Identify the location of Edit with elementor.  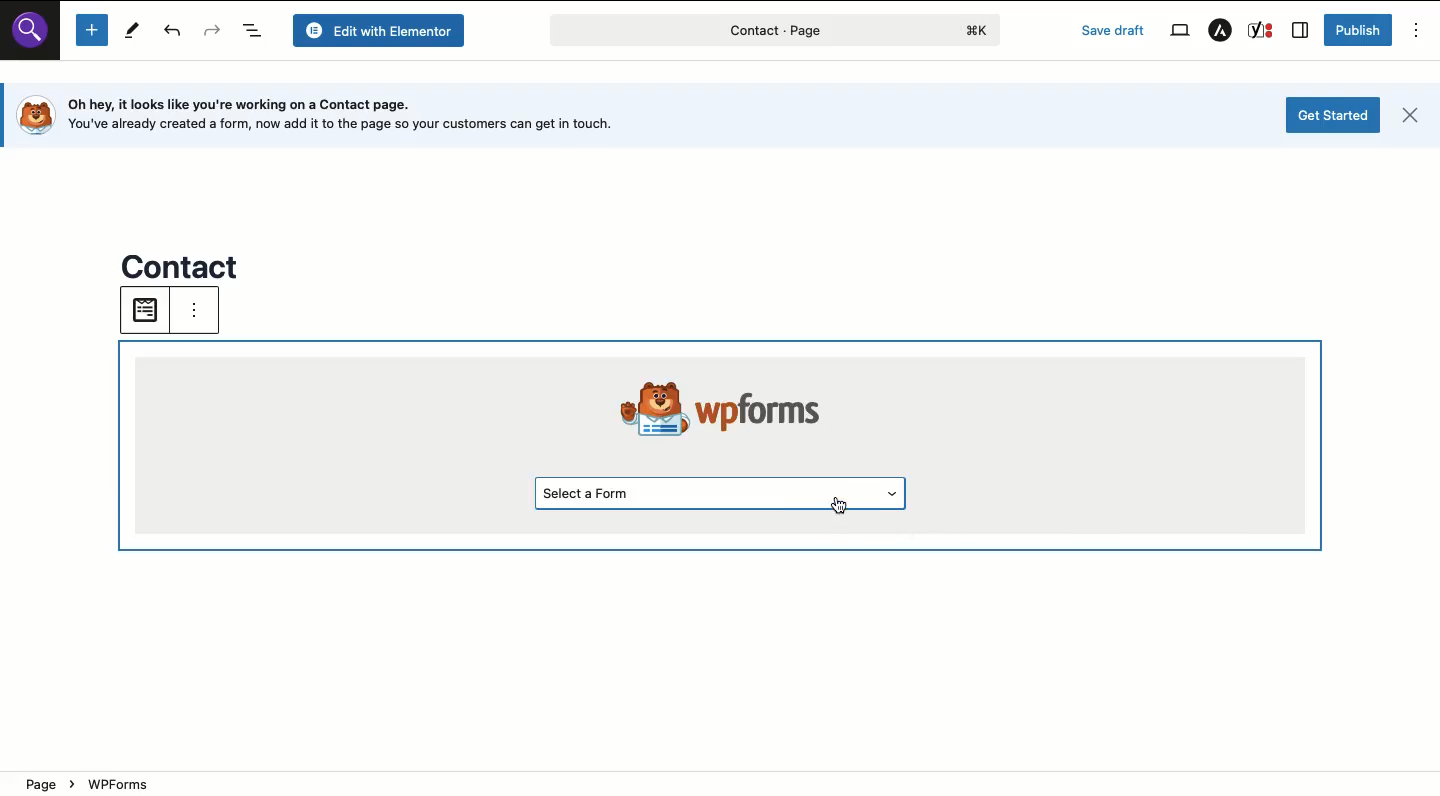
(382, 30).